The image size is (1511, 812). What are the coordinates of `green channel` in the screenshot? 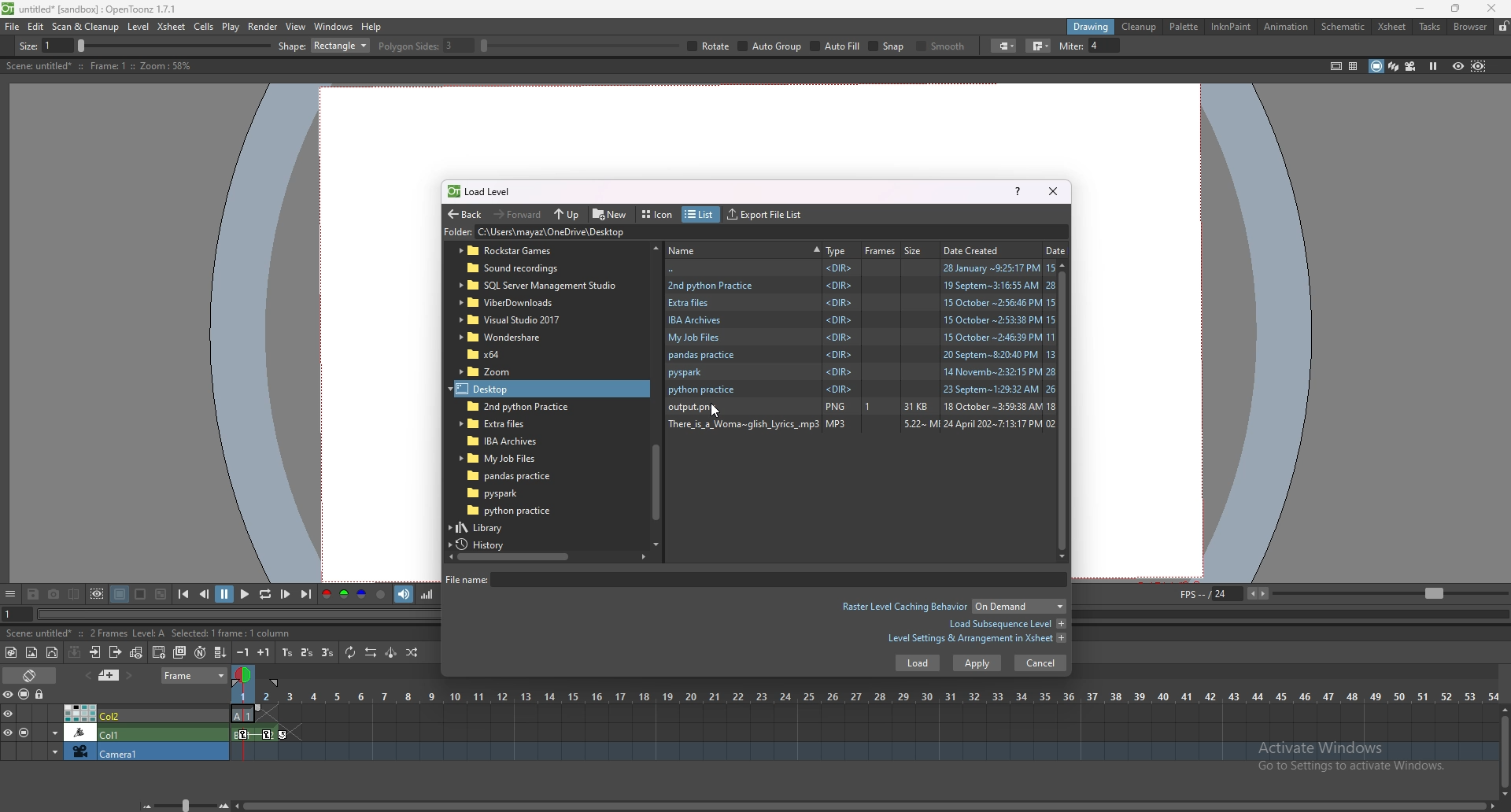 It's located at (343, 595).